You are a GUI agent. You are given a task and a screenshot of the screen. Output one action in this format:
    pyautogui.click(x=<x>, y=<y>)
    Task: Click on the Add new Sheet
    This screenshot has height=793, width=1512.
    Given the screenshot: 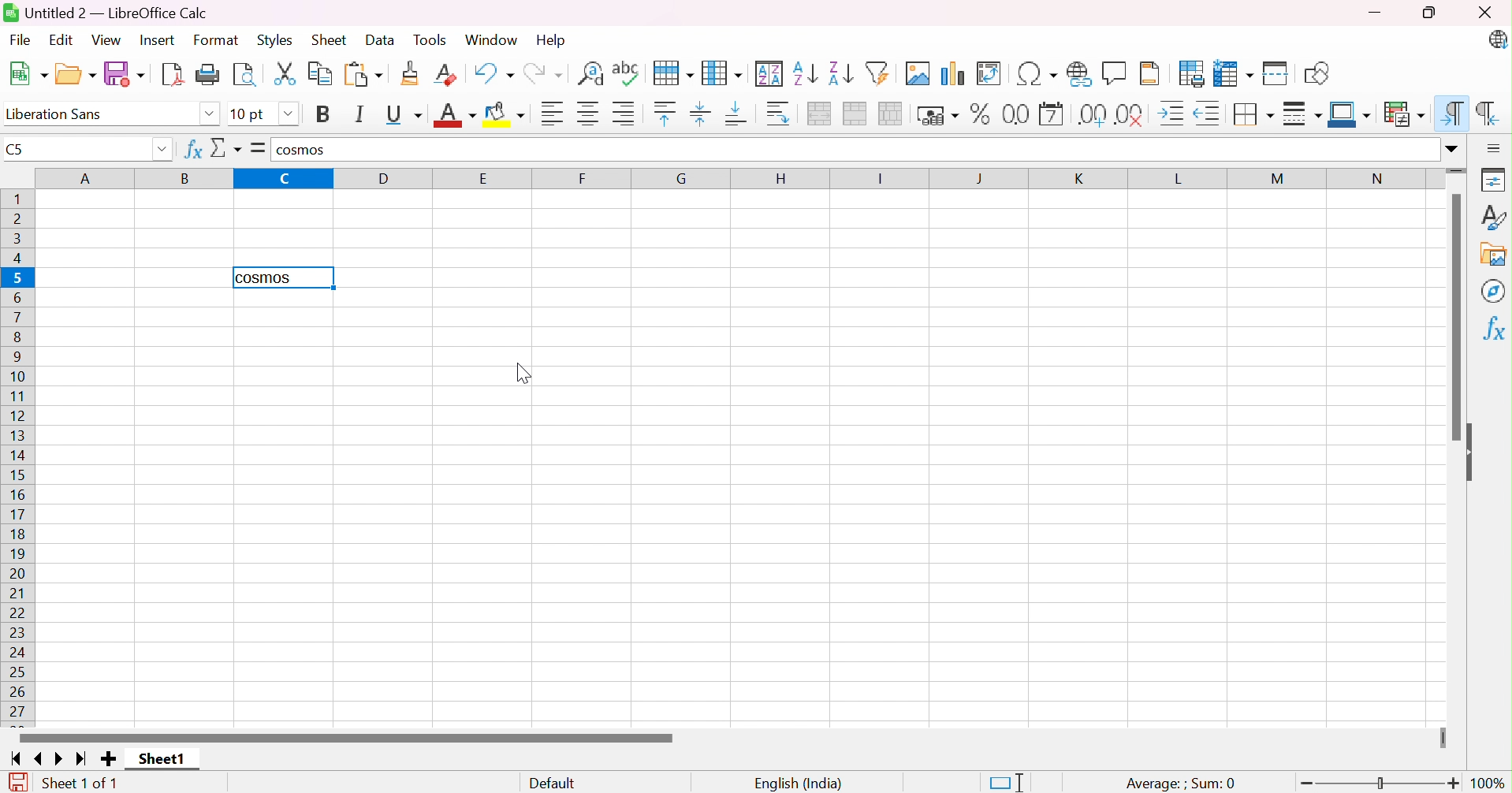 What is the action you would take?
    pyautogui.click(x=108, y=760)
    